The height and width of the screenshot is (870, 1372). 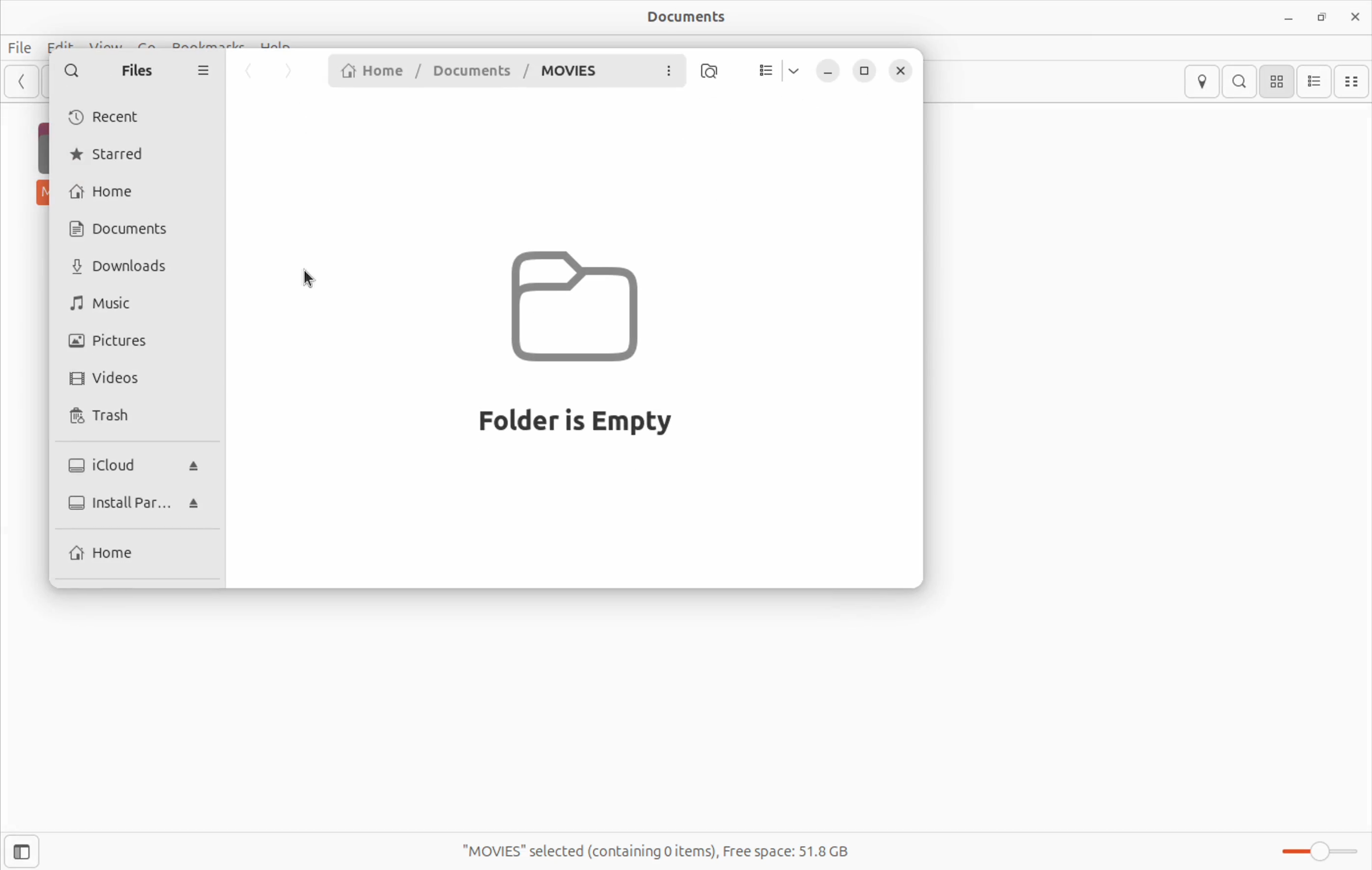 What do you see at coordinates (699, 18) in the screenshot?
I see `Documents` at bounding box center [699, 18].